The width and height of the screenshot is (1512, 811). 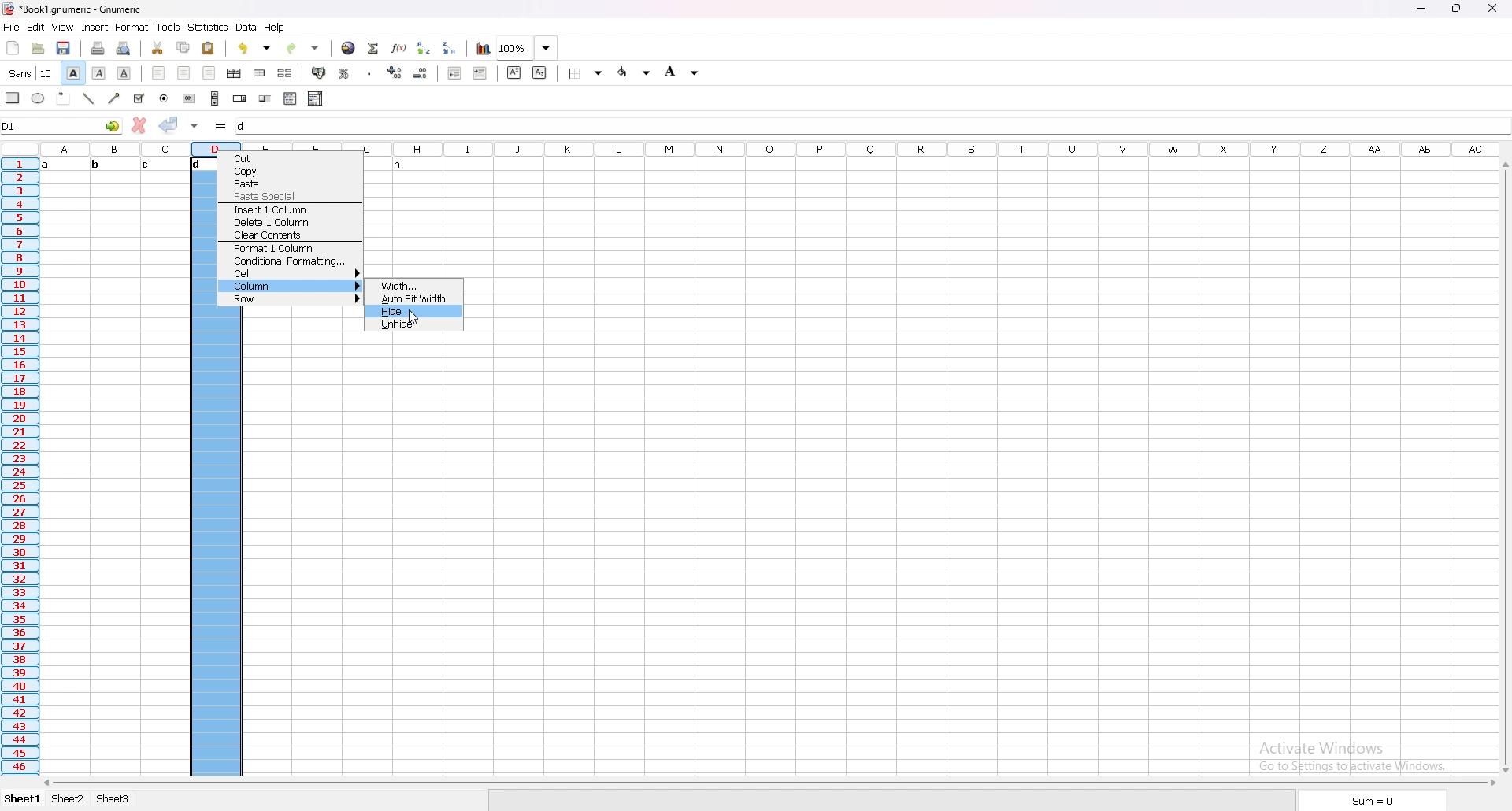 What do you see at coordinates (38, 48) in the screenshot?
I see `open` at bounding box center [38, 48].